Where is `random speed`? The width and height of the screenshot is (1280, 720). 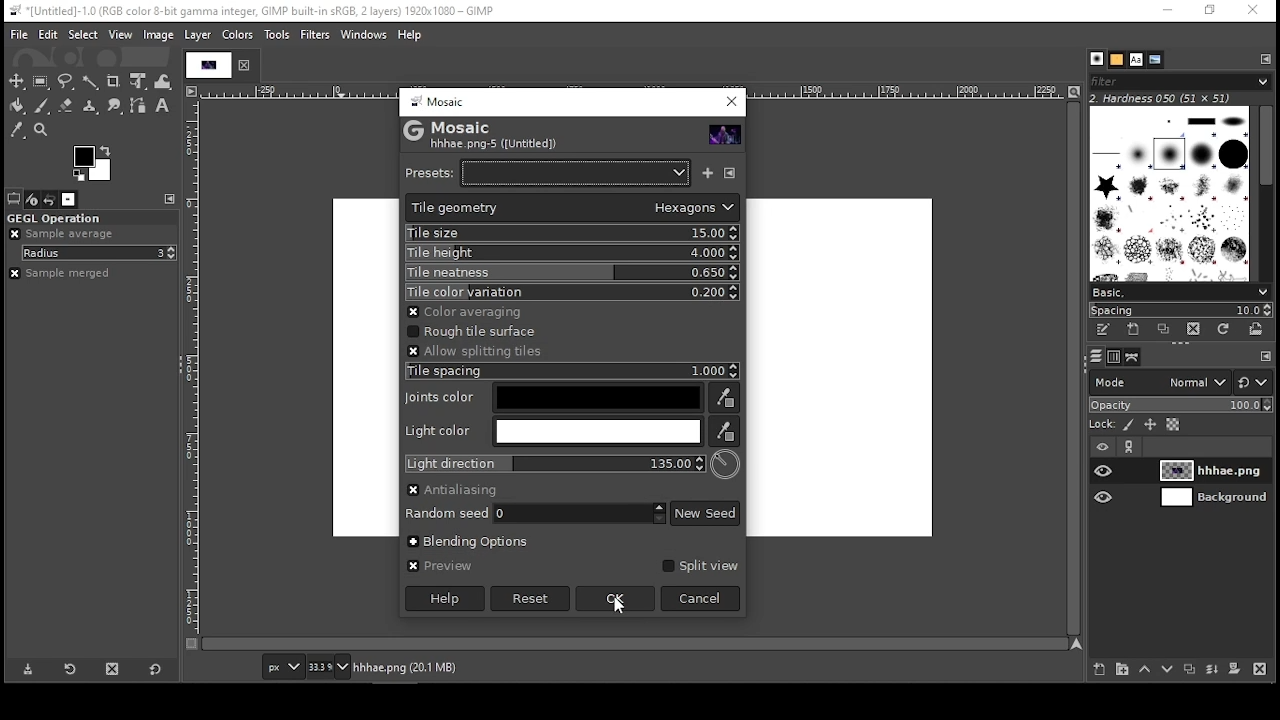
random speed is located at coordinates (536, 513).